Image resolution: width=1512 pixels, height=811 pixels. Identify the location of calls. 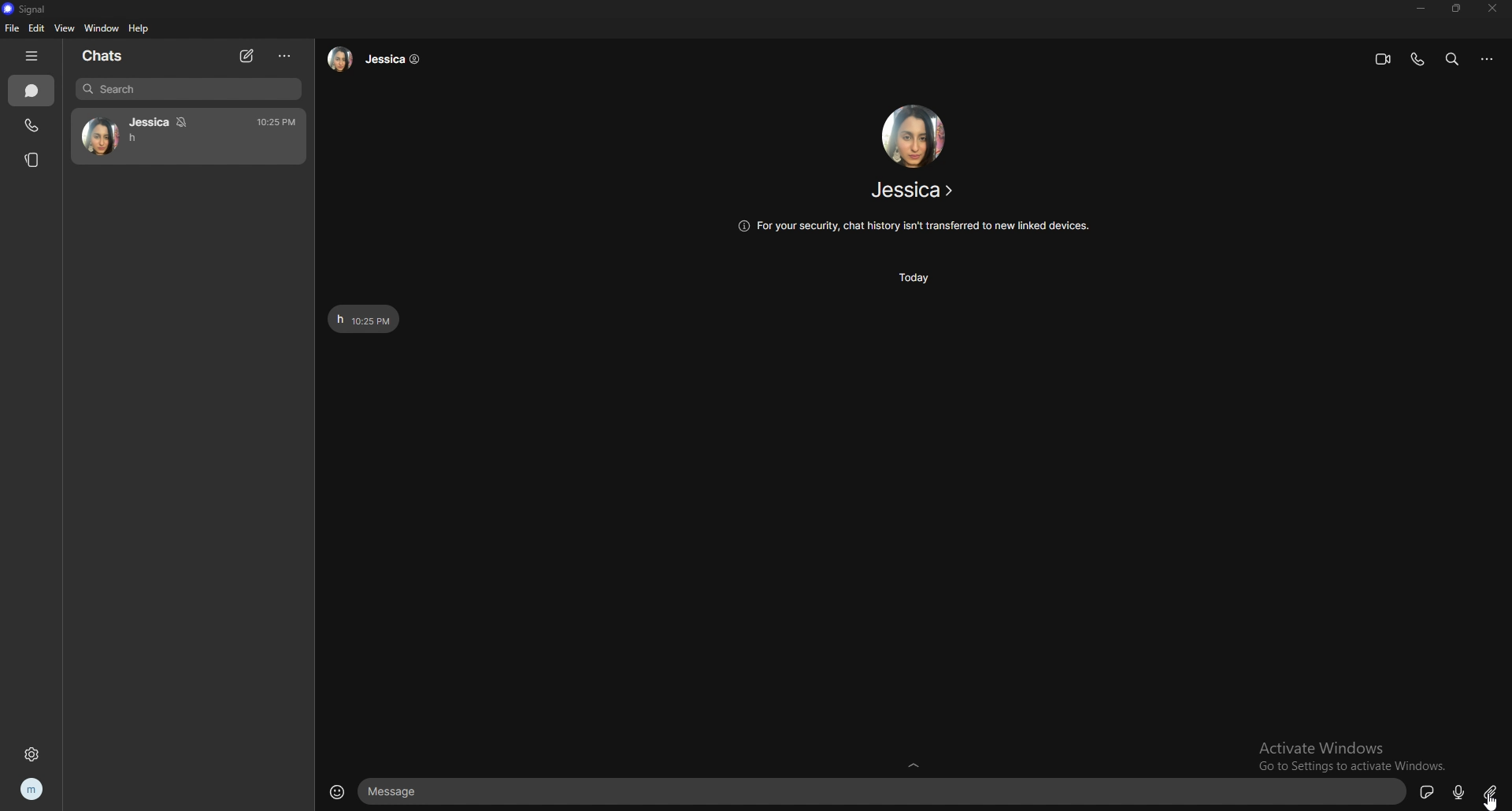
(31, 126).